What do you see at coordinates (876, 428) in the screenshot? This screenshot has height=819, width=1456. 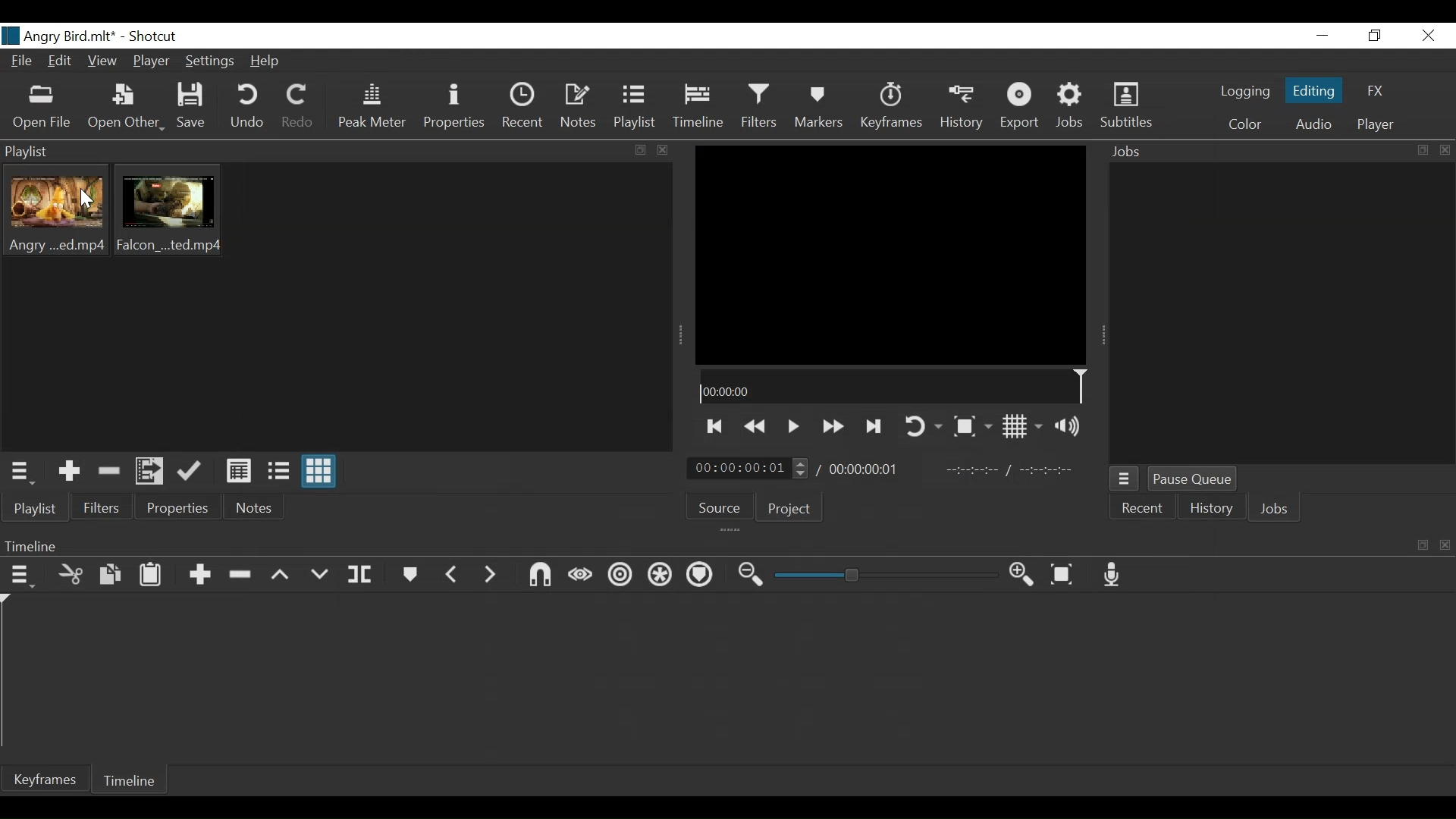 I see `Skip to the next point ` at bounding box center [876, 428].